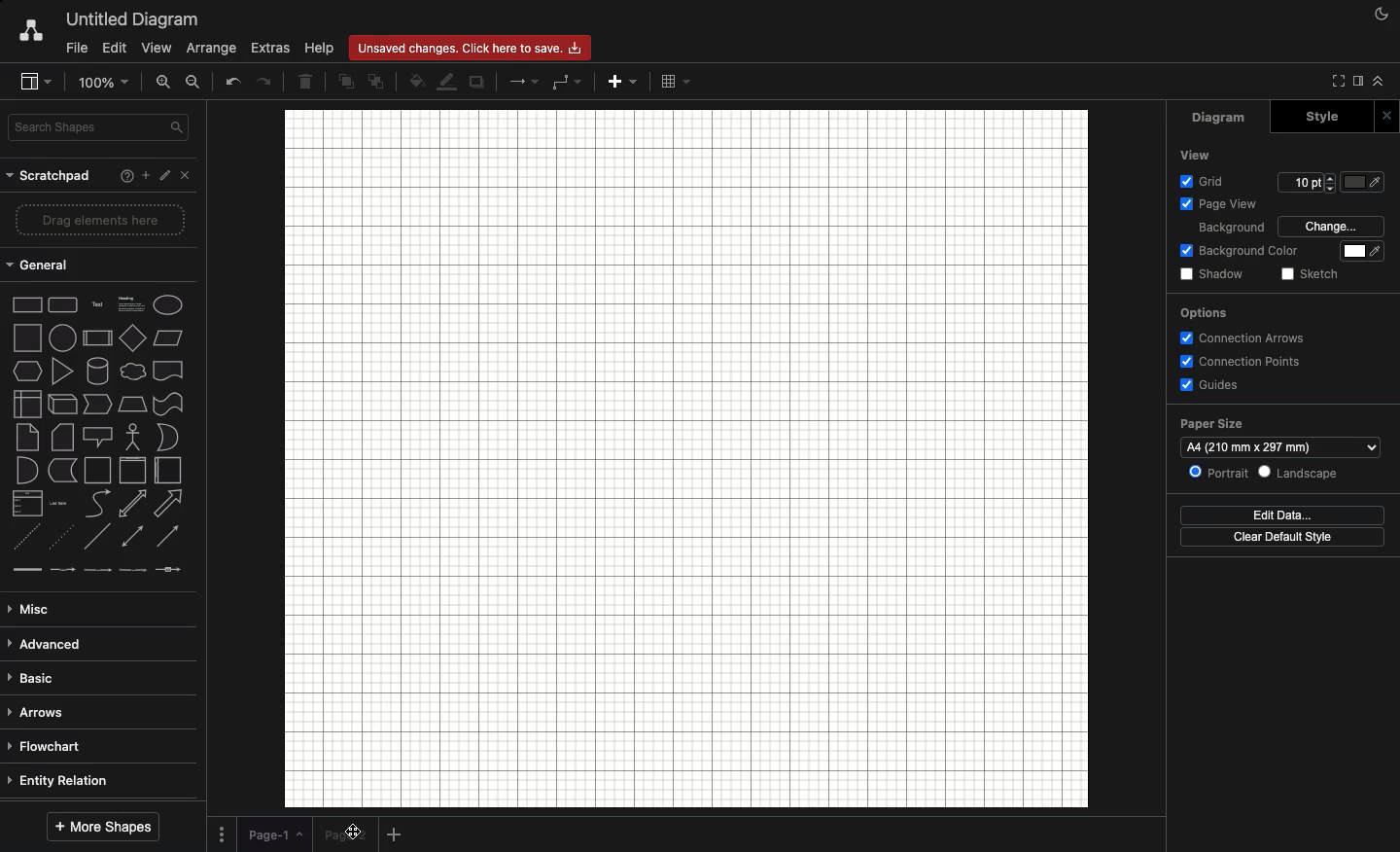 This screenshot has width=1400, height=852. What do you see at coordinates (50, 748) in the screenshot?
I see `Flowchart` at bounding box center [50, 748].